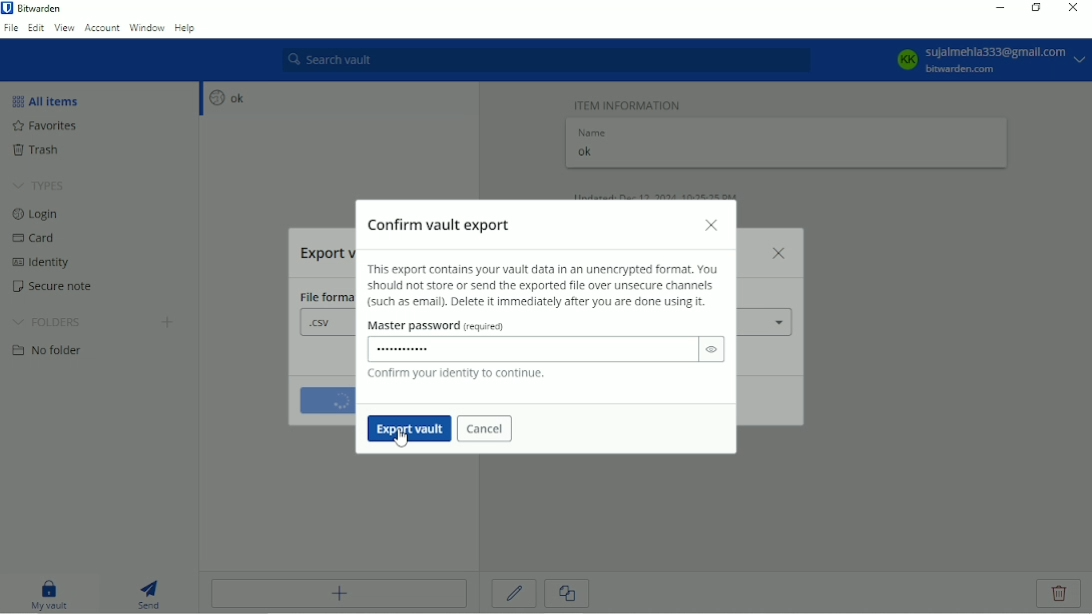 The width and height of the screenshot is (1092, 614). I want to click on Master password (required), so click(444, 328).